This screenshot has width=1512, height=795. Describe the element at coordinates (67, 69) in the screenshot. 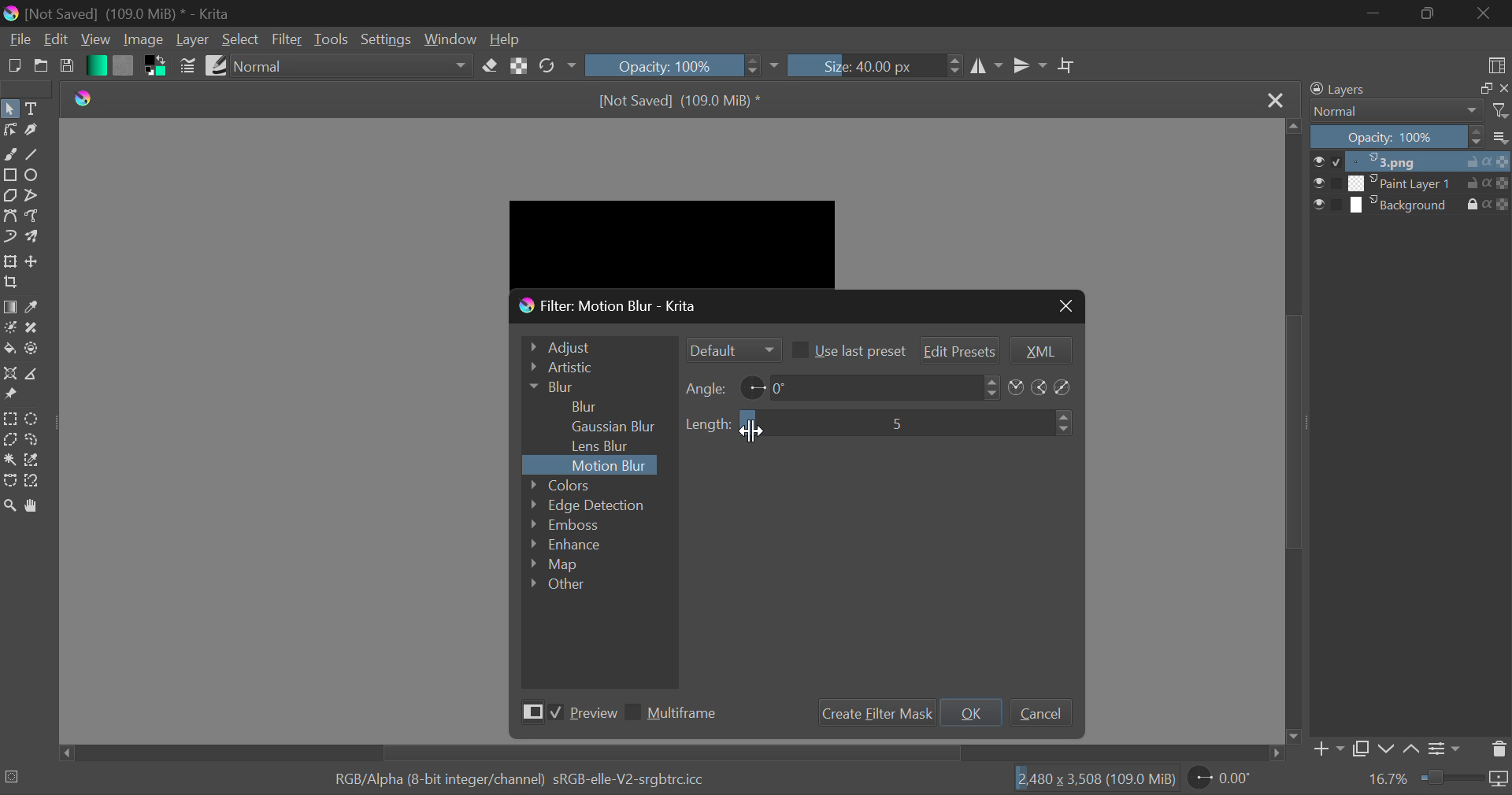

I see `Save` at that location.